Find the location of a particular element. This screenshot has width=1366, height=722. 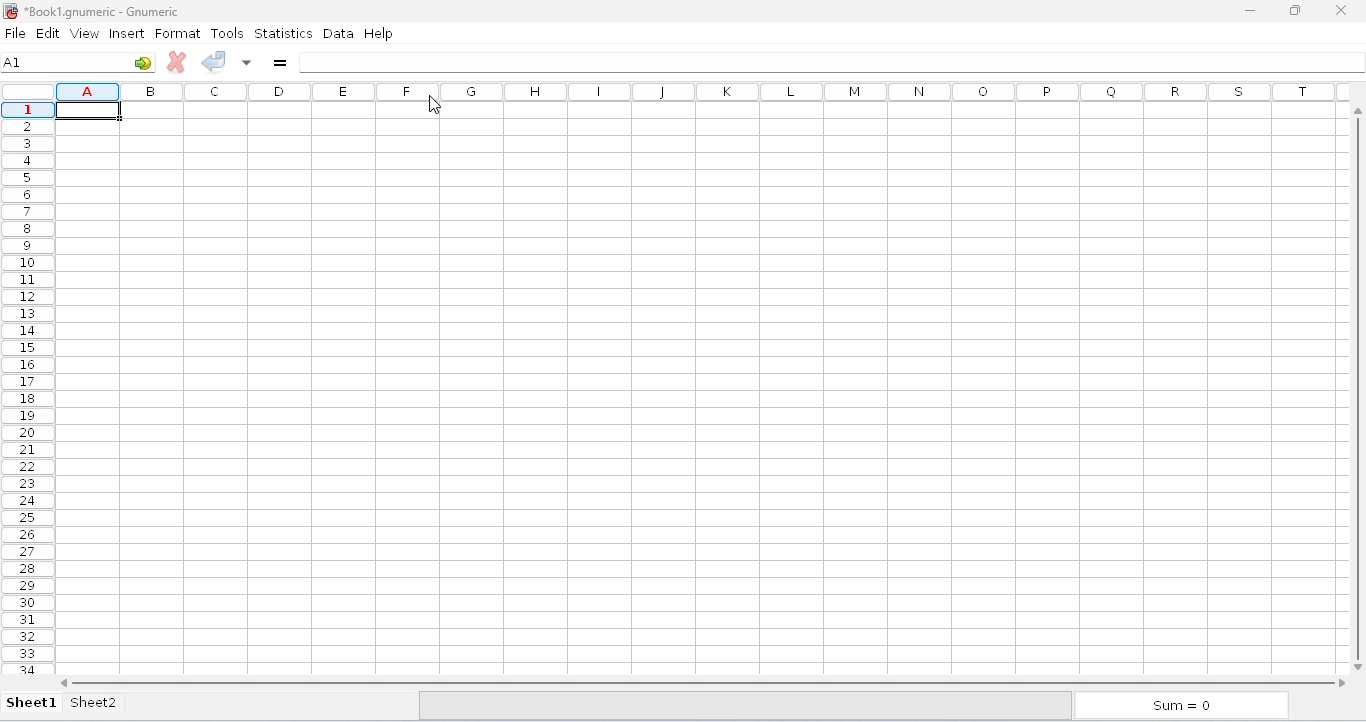

accept changes to multiple cells is located at coordinates (246, 62).